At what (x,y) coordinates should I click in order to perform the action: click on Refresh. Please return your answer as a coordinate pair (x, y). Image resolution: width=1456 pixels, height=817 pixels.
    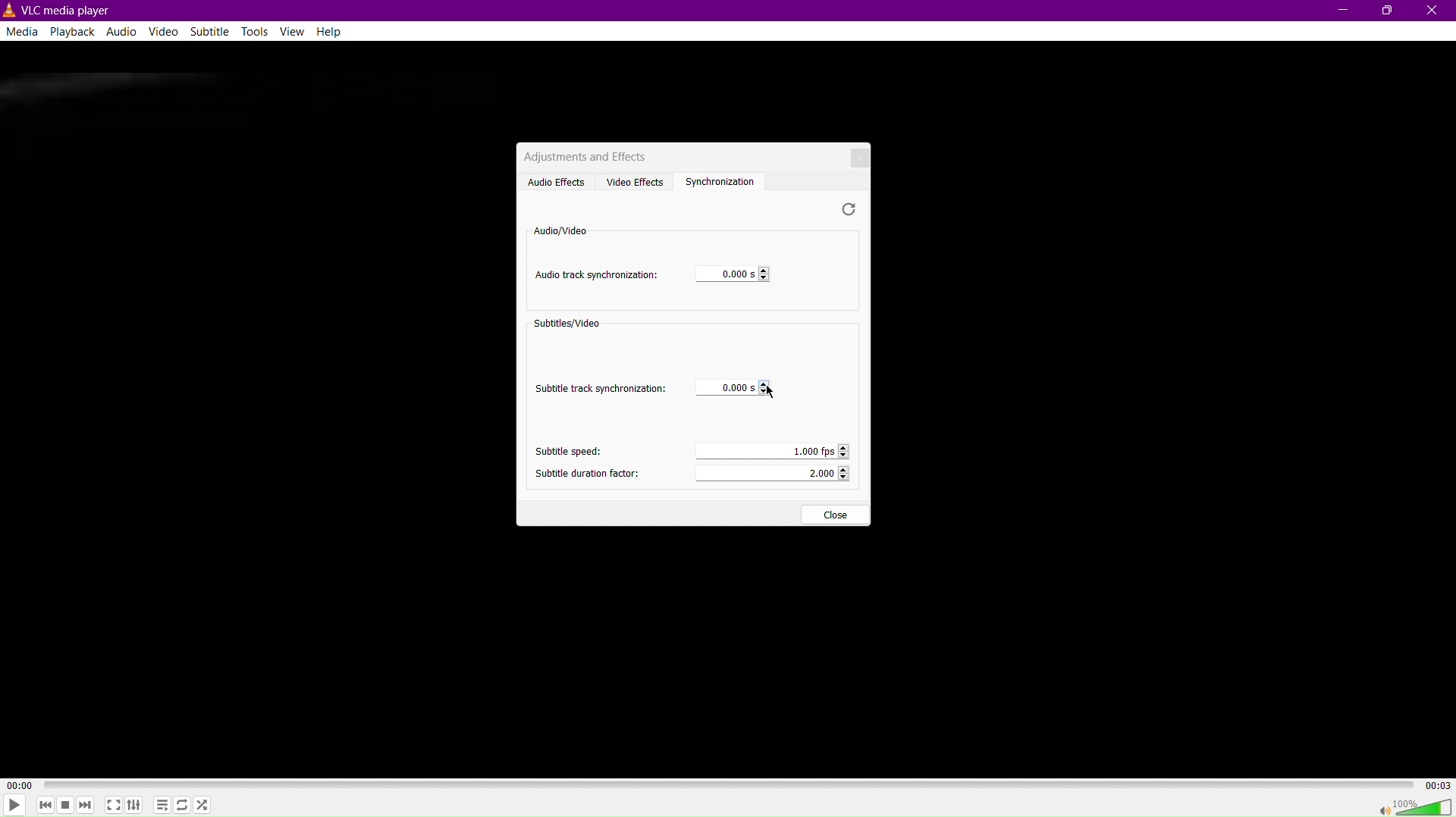
    Looking at the image, I should click on (849, 209).